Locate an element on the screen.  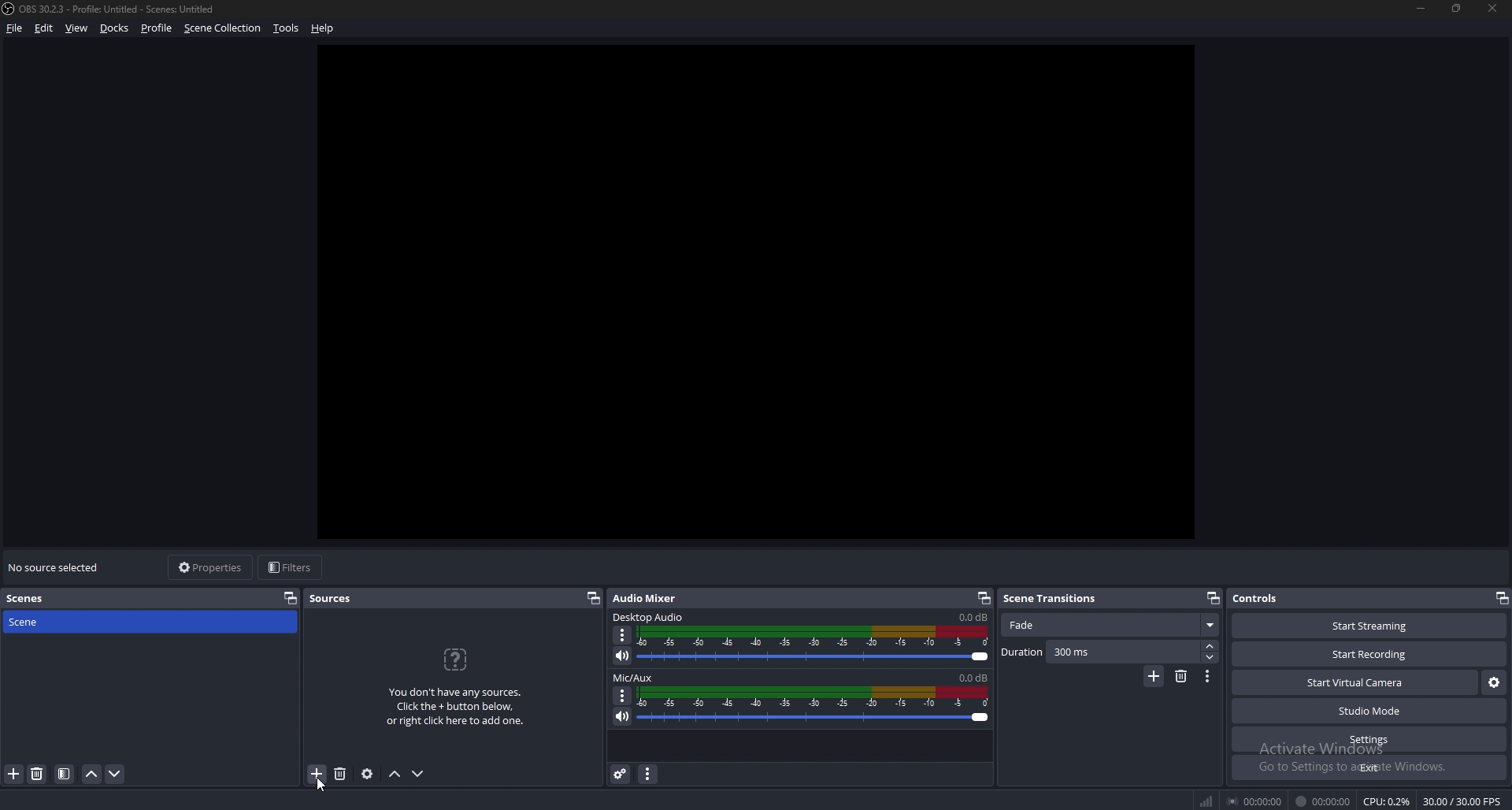
scenes is located at coordinates (33, 597).